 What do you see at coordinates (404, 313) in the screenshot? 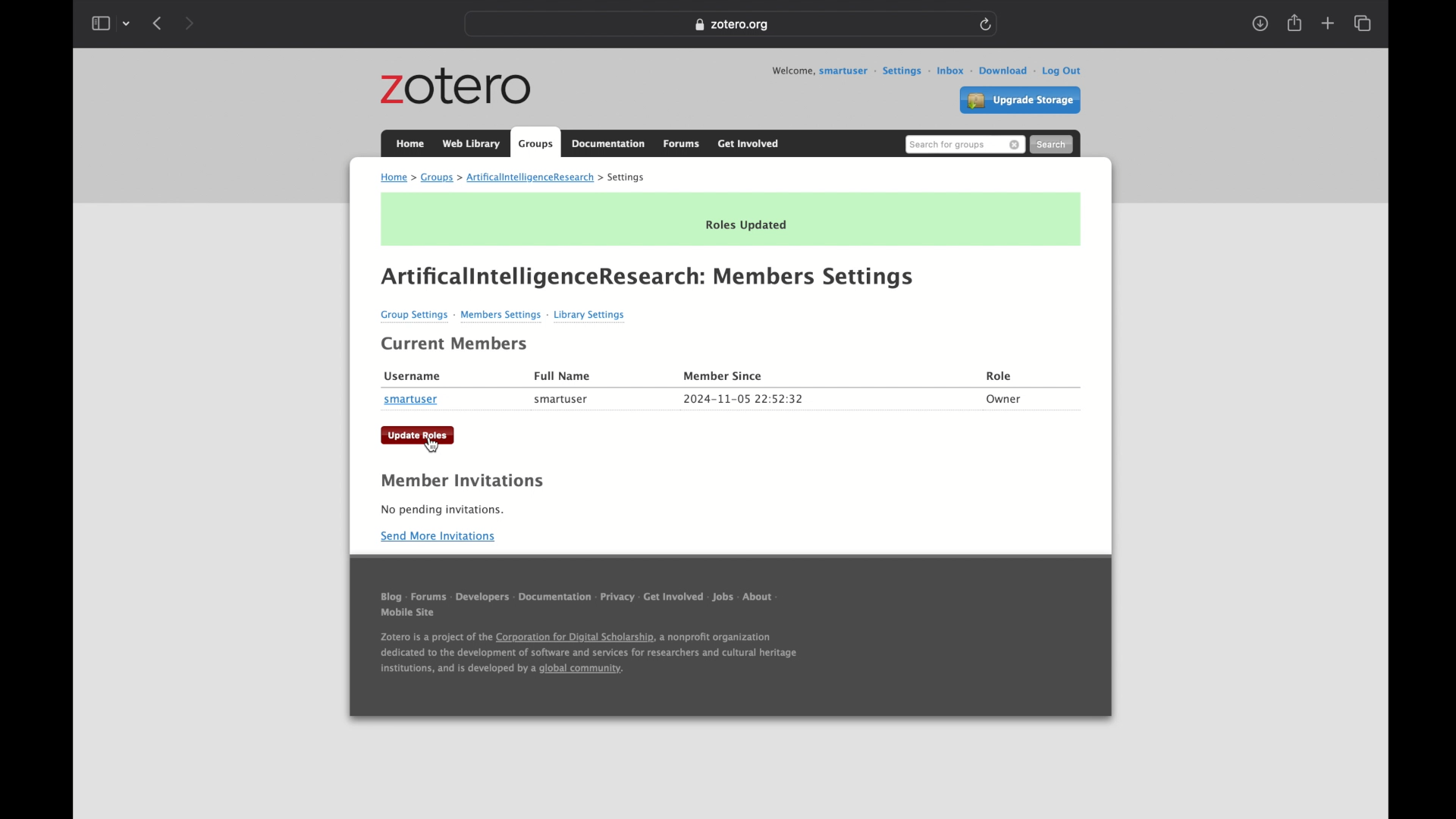
I see `Group Settings` at bounding box center [404, 313].